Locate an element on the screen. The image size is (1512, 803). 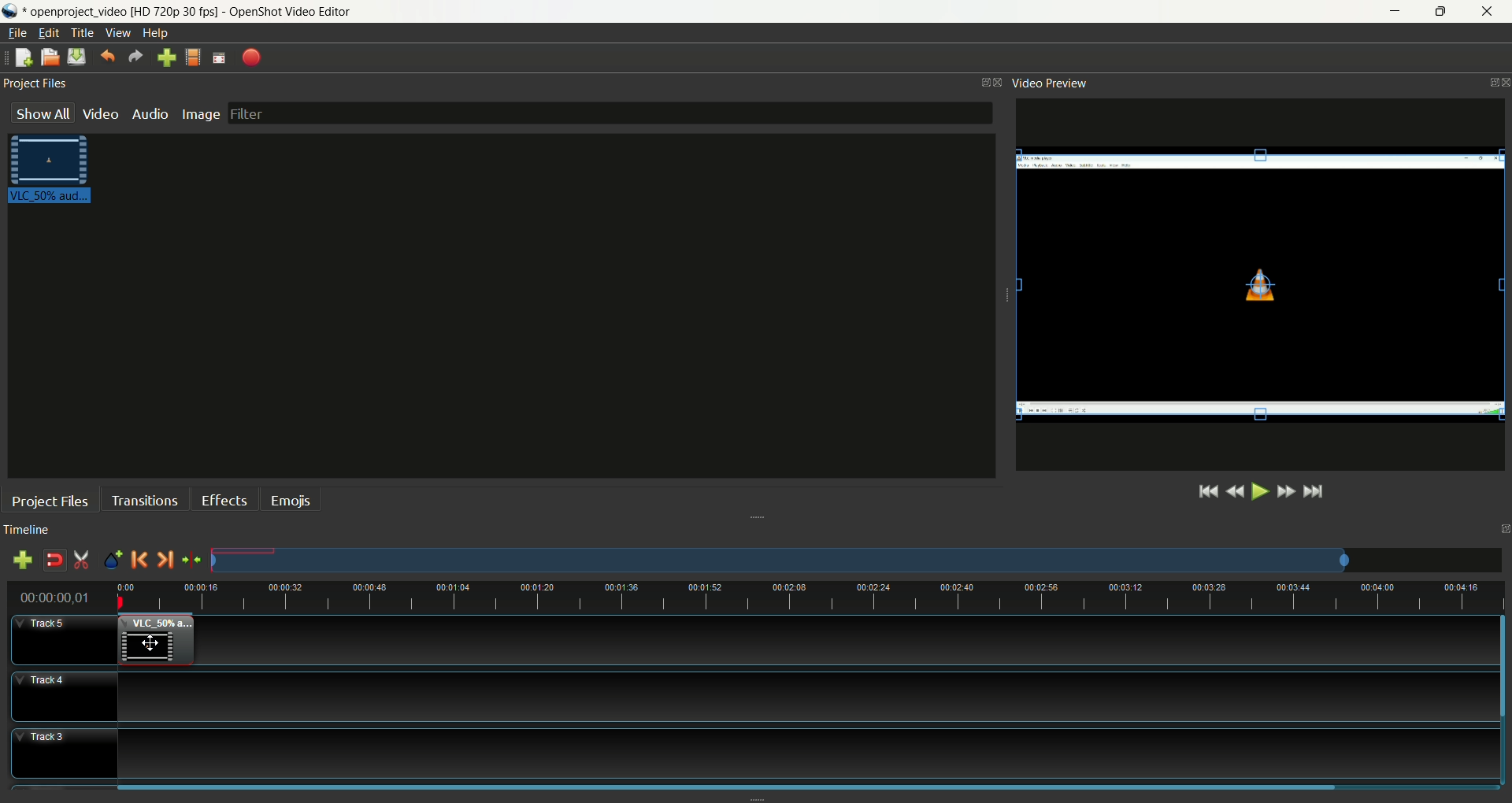
openproject_video [HD 720p 30 fps] - OpenShot Video Editor is located at coordinates (214, 12).